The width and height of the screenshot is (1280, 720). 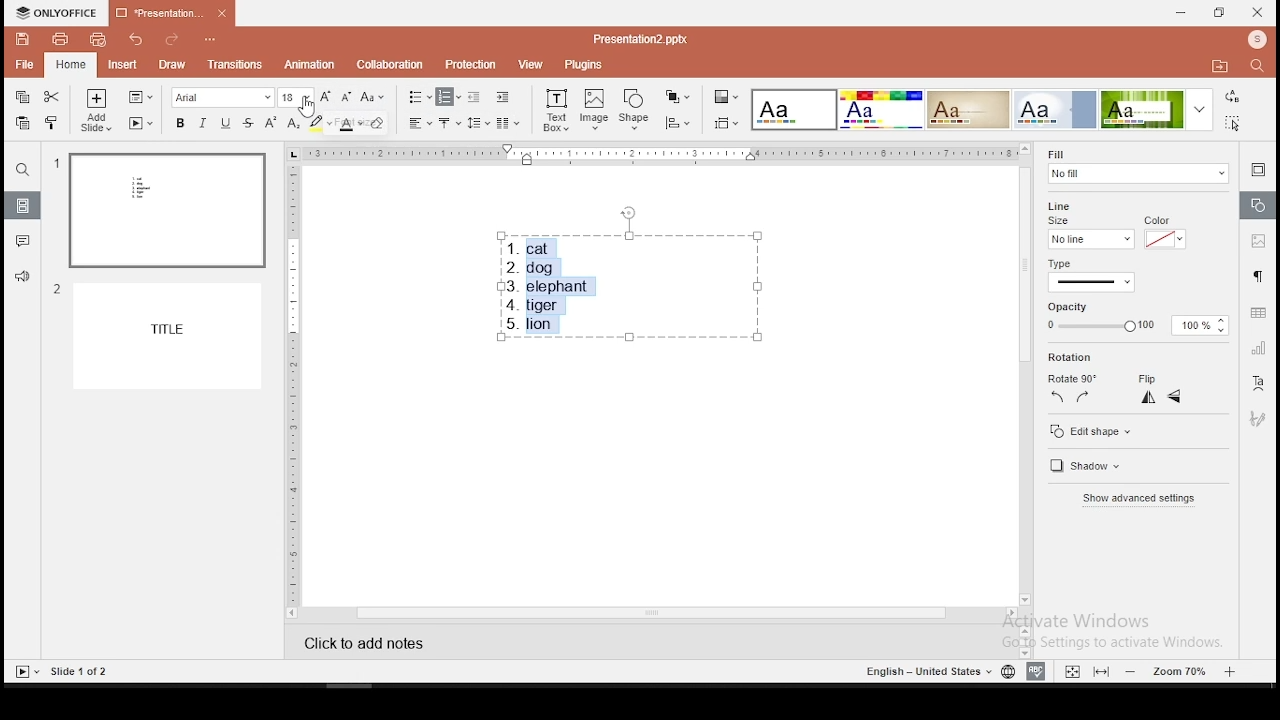 I want to click on file, so click(x=24, y=63).